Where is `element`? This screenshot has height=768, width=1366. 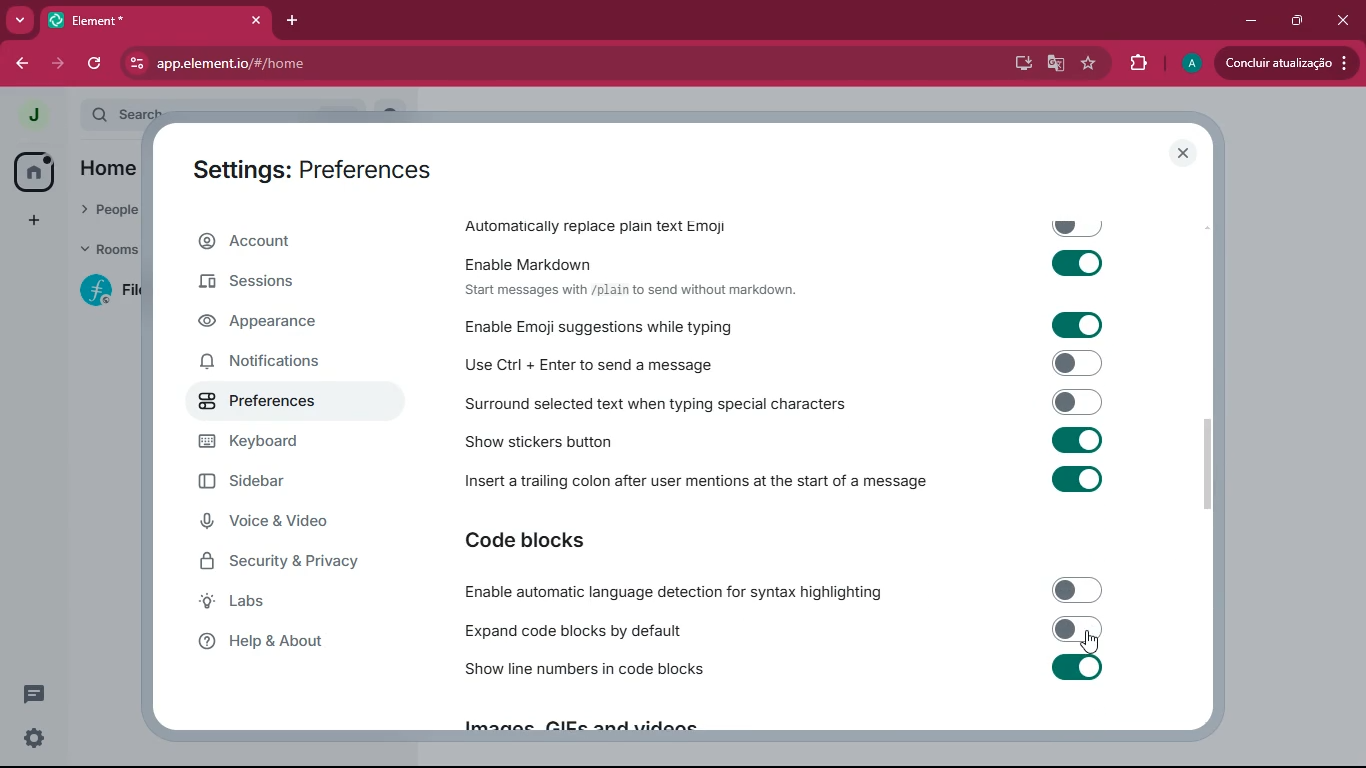
element is located at coordinates (155, 18).